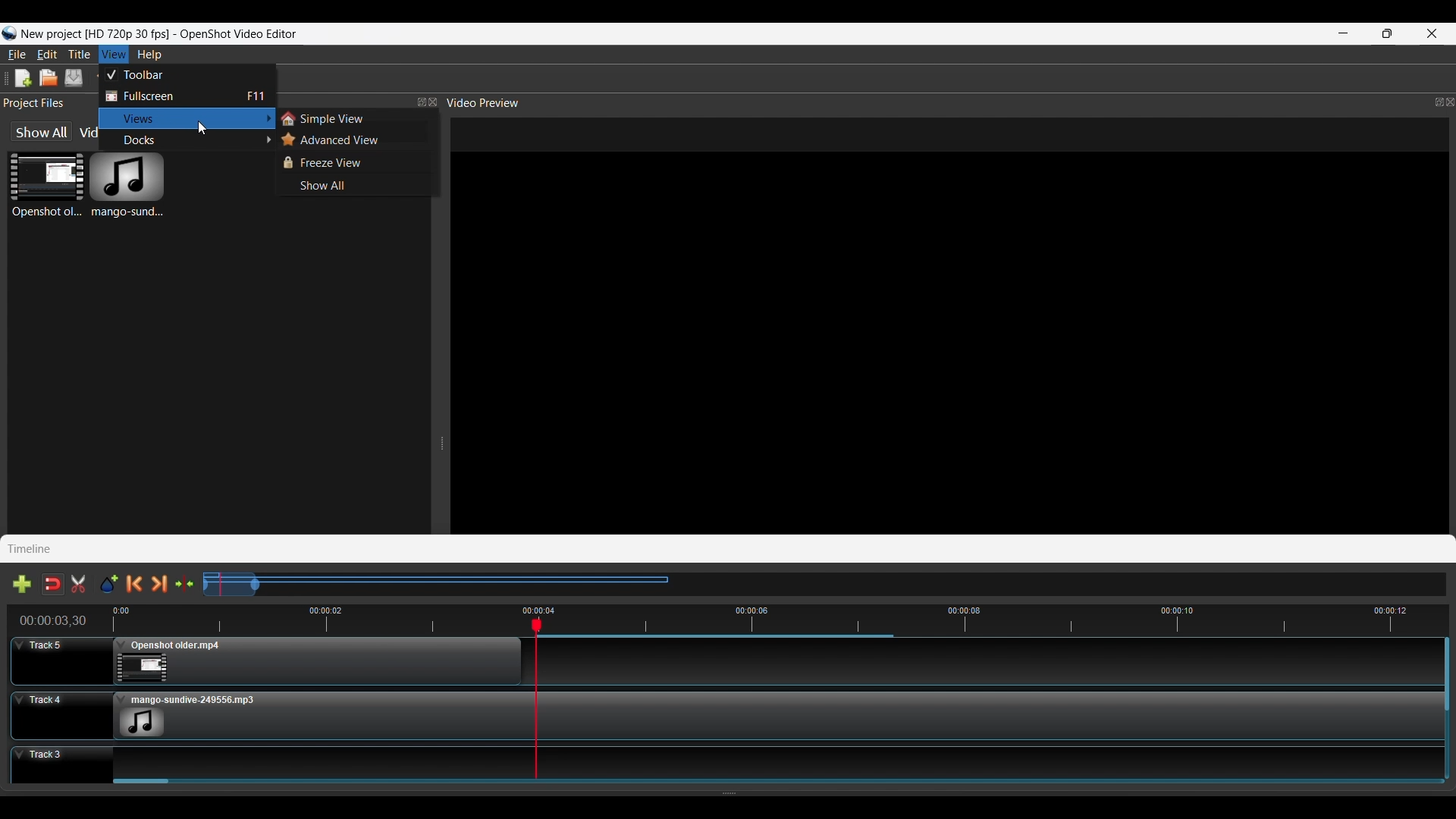  Describe the element at coordinates (1389, 33) in the screenshot. I see `Maximize` at that location.